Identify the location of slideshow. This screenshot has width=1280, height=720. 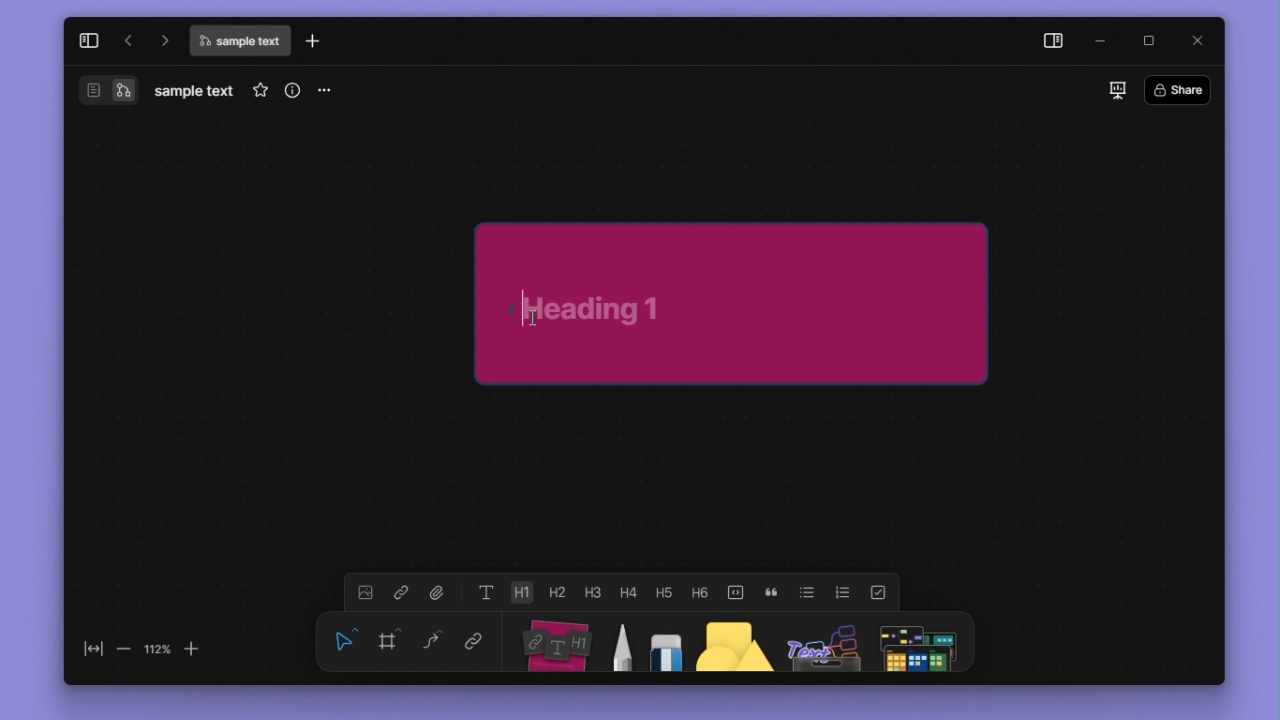
(1118, 90).